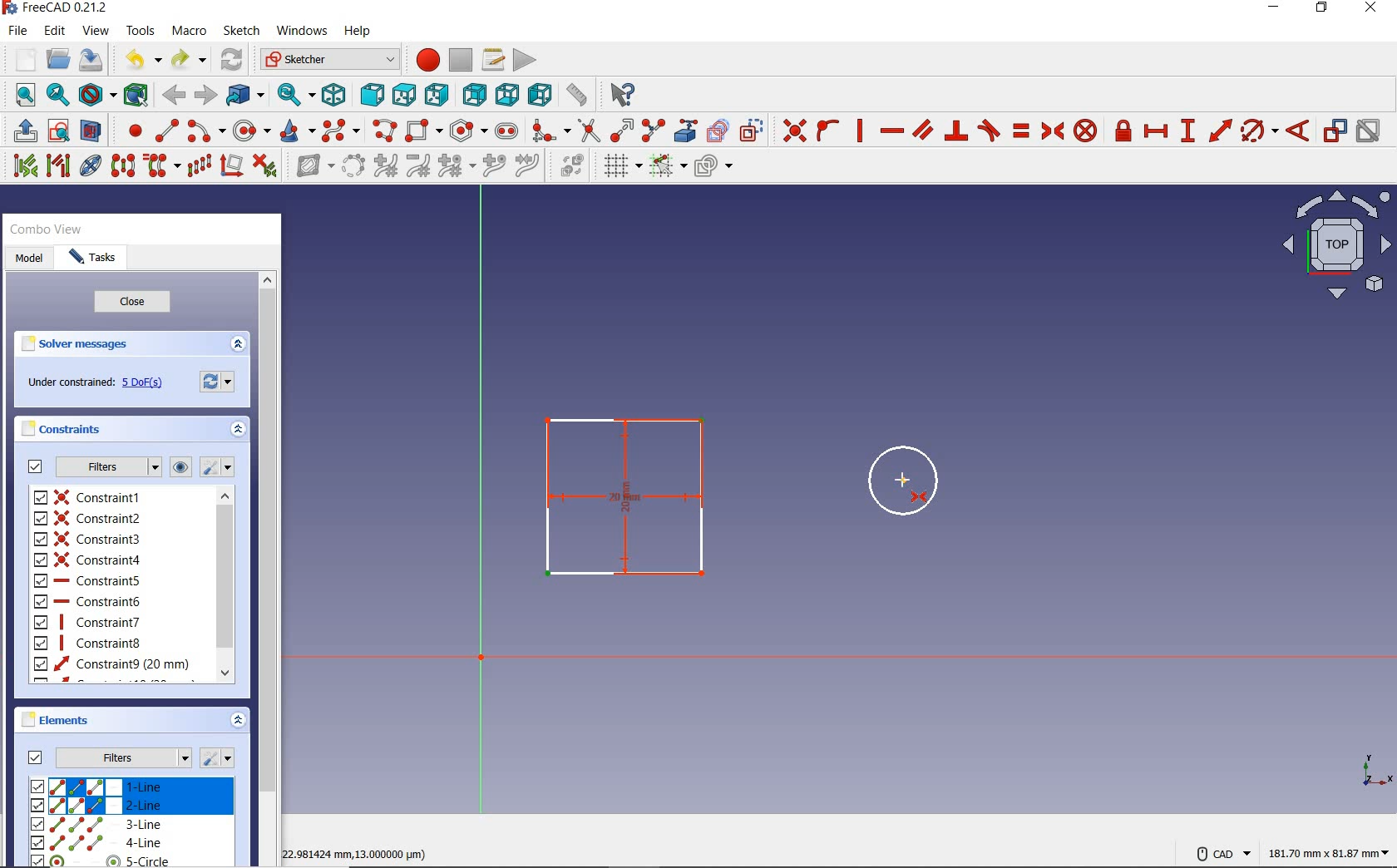 The width and height of the screenshot is (1397, 868). What do you see at coordinates (1054, 131) in the screenshot?
I see `constrain symmetrical` at bounding box center [1054, 131].